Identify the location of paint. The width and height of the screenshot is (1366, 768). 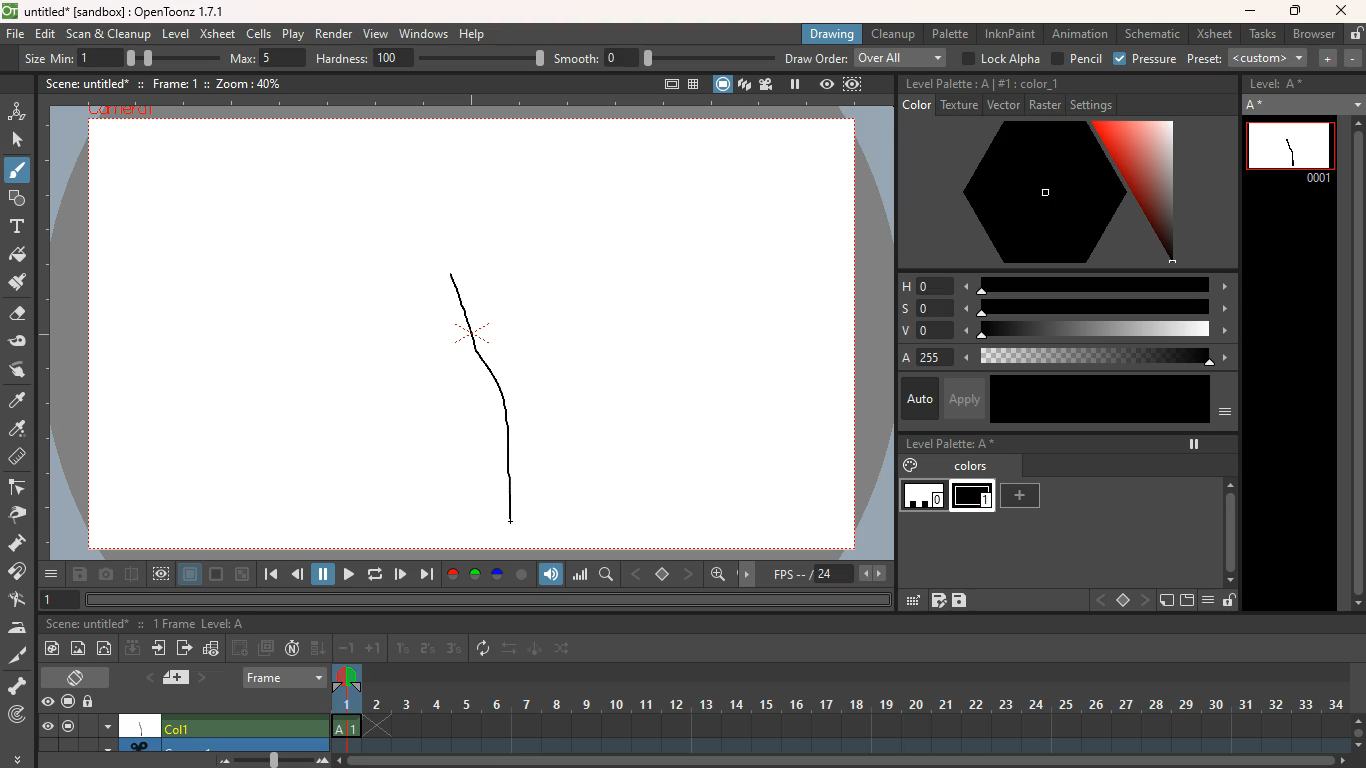
(19, 286).